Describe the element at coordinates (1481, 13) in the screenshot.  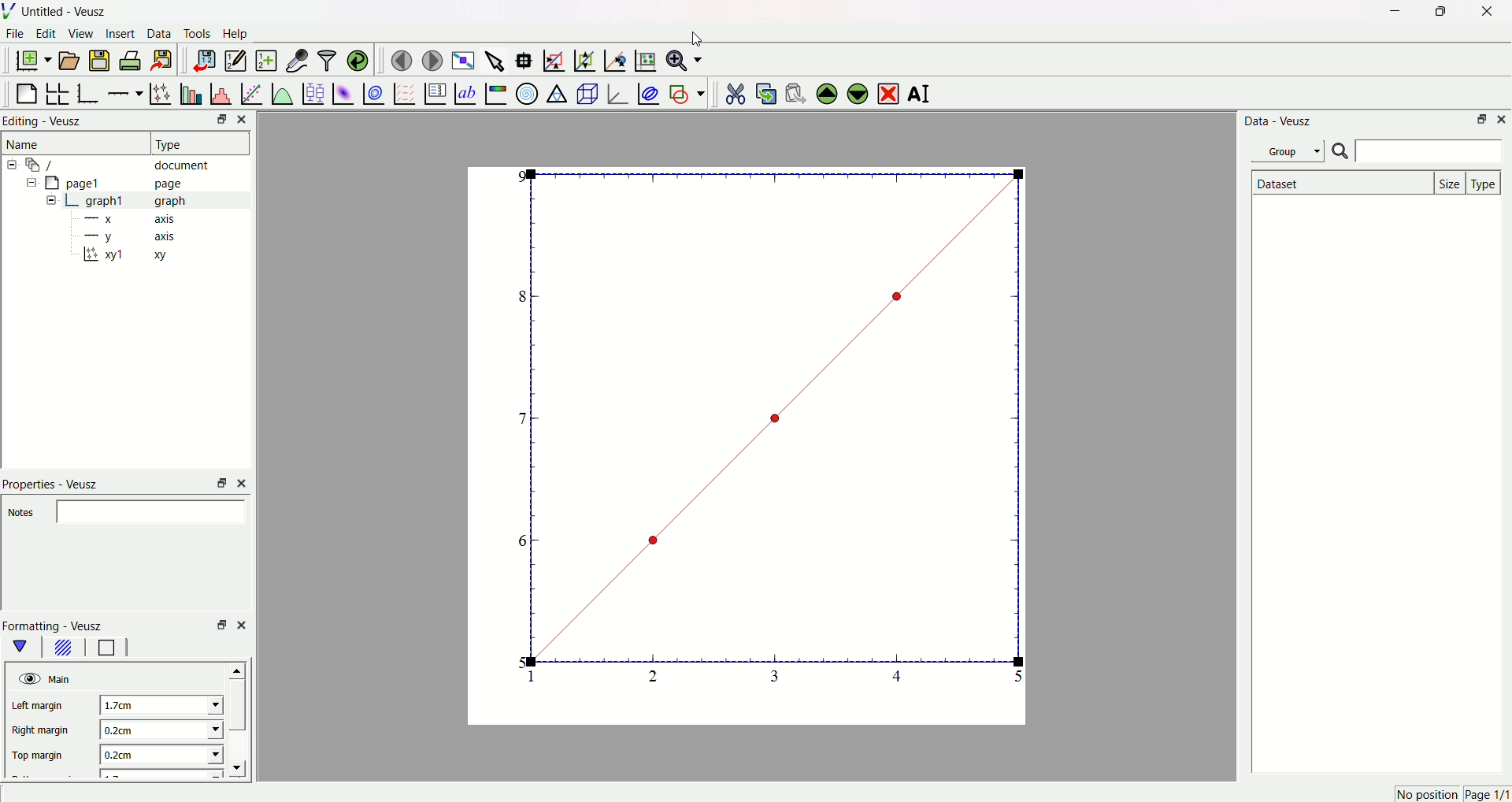
I see `Close` at that location.